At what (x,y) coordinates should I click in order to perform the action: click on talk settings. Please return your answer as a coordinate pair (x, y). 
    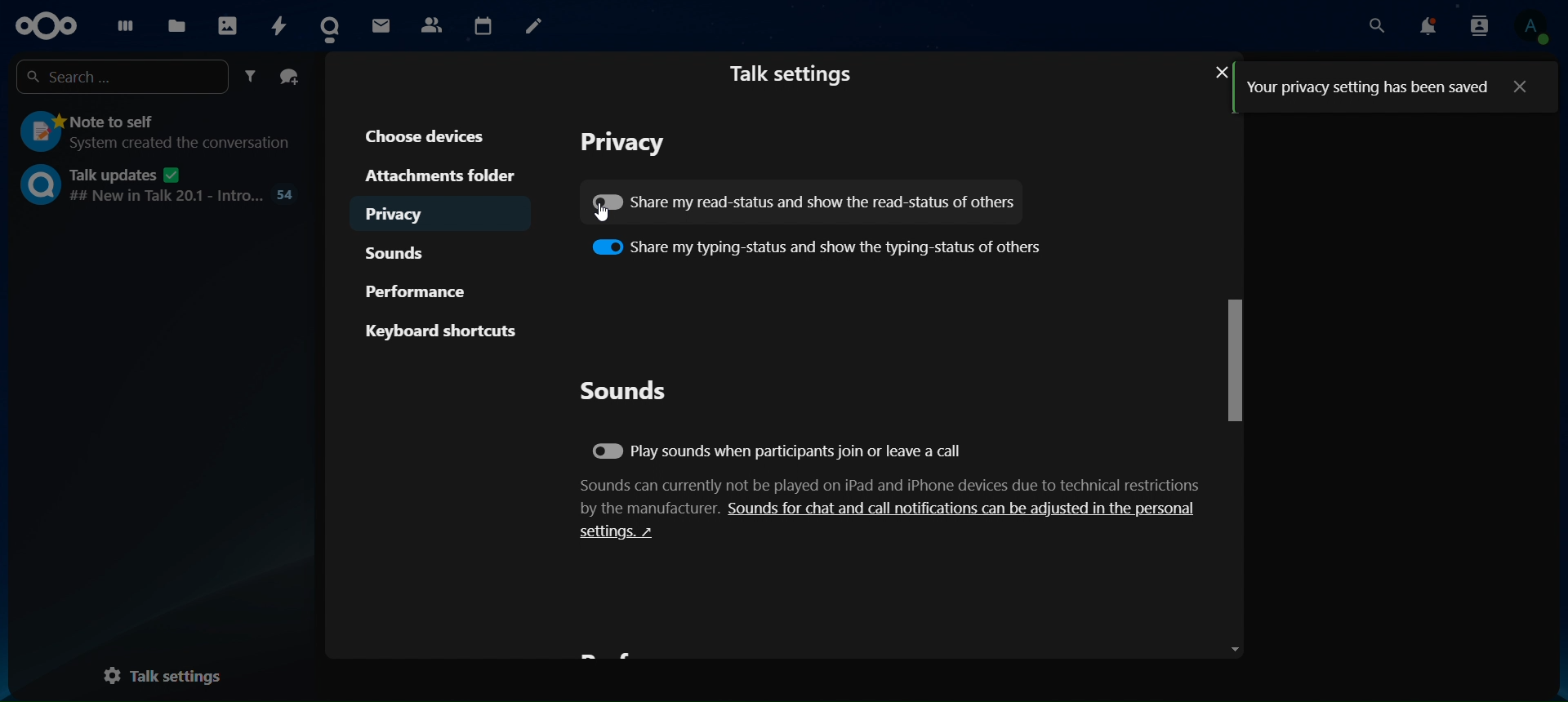
    Looking at the image, I should click on (173, 672).